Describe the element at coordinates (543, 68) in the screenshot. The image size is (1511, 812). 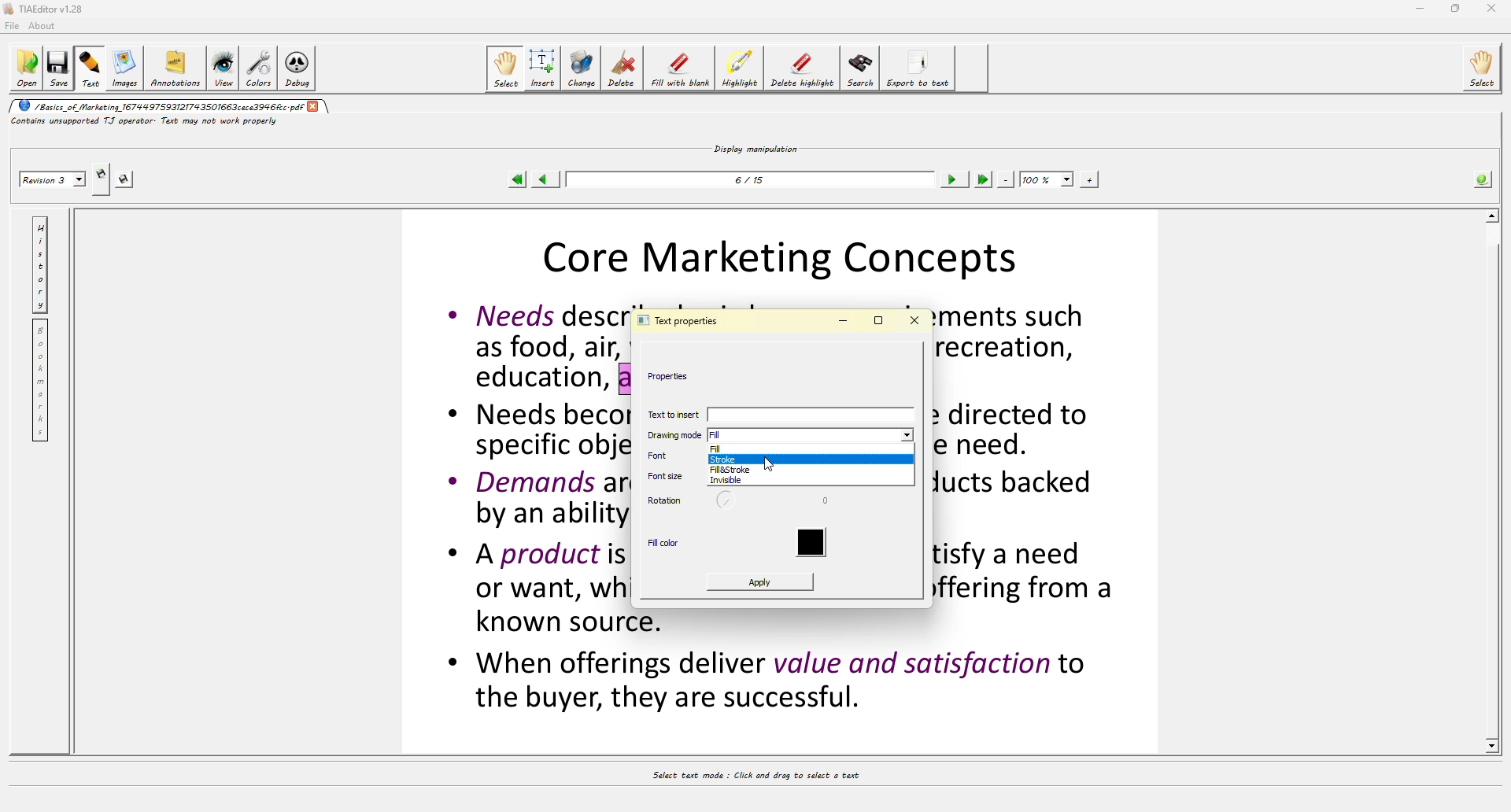
I see `insert` at that location.